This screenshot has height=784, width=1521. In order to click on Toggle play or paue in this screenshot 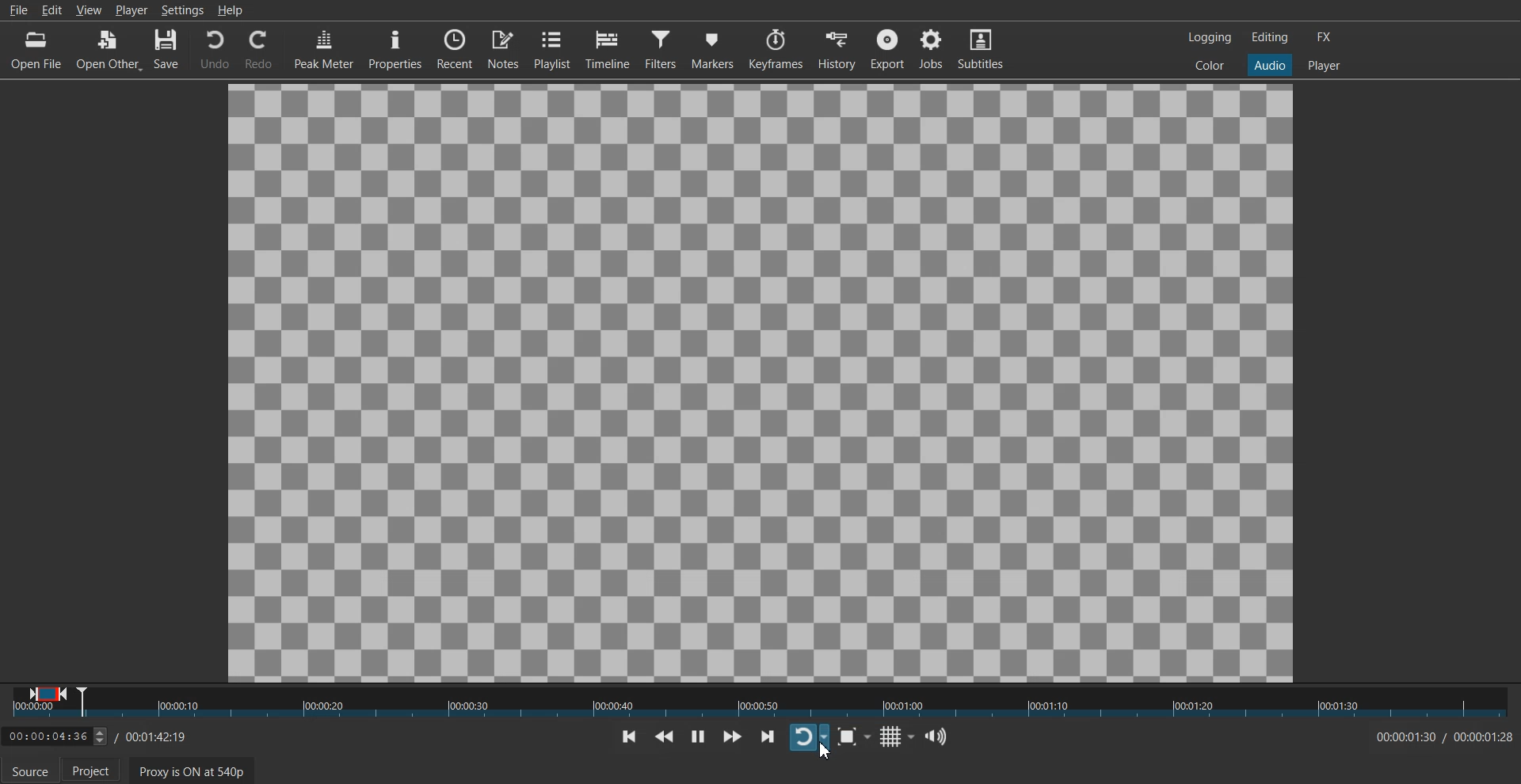, I will do `click(697, 736)`.